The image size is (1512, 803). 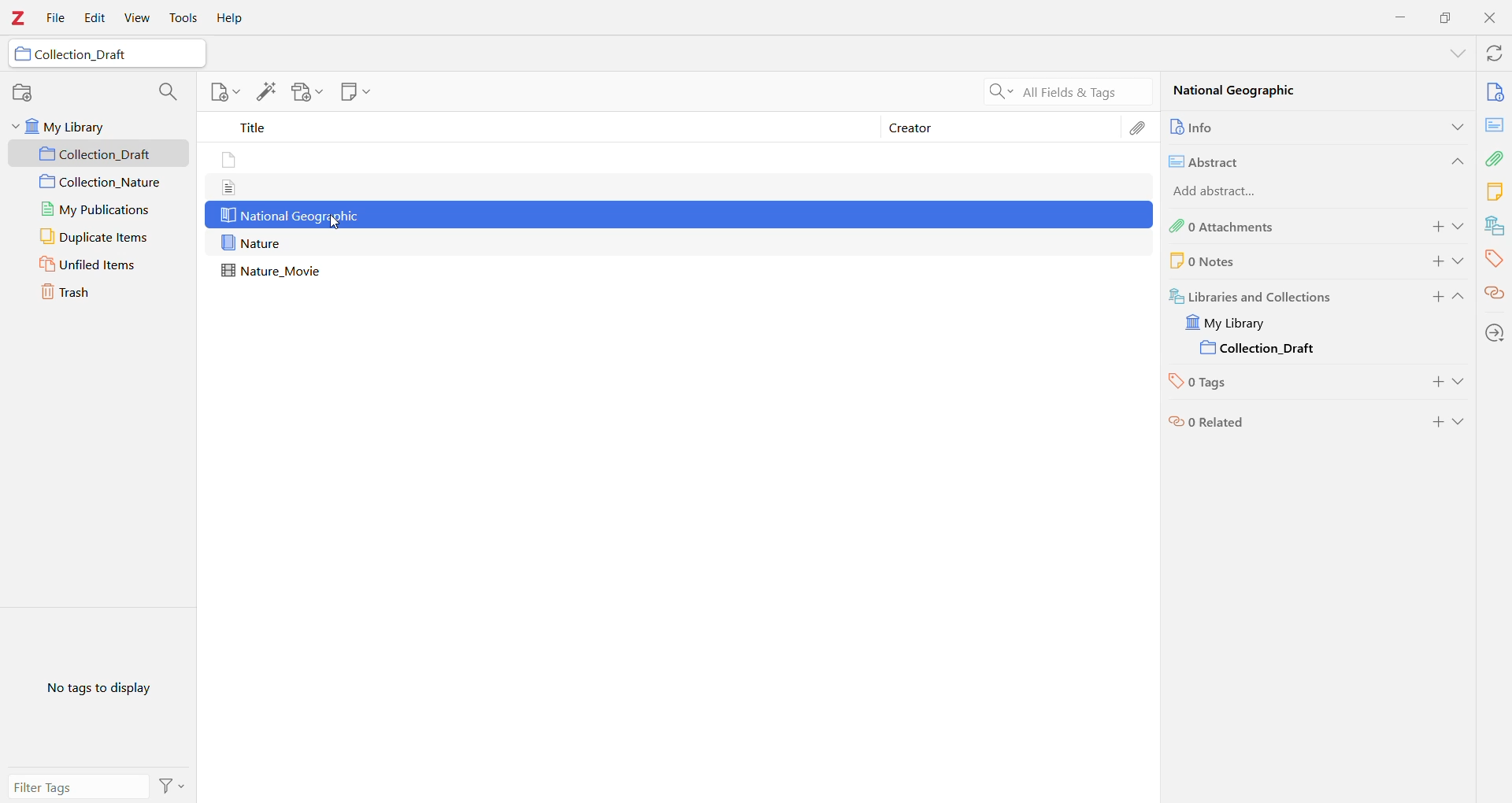 What do you see at coordinates (100, 154) in the screenshot?
I see `Collection_Draft` at bounding box center [100, 154].